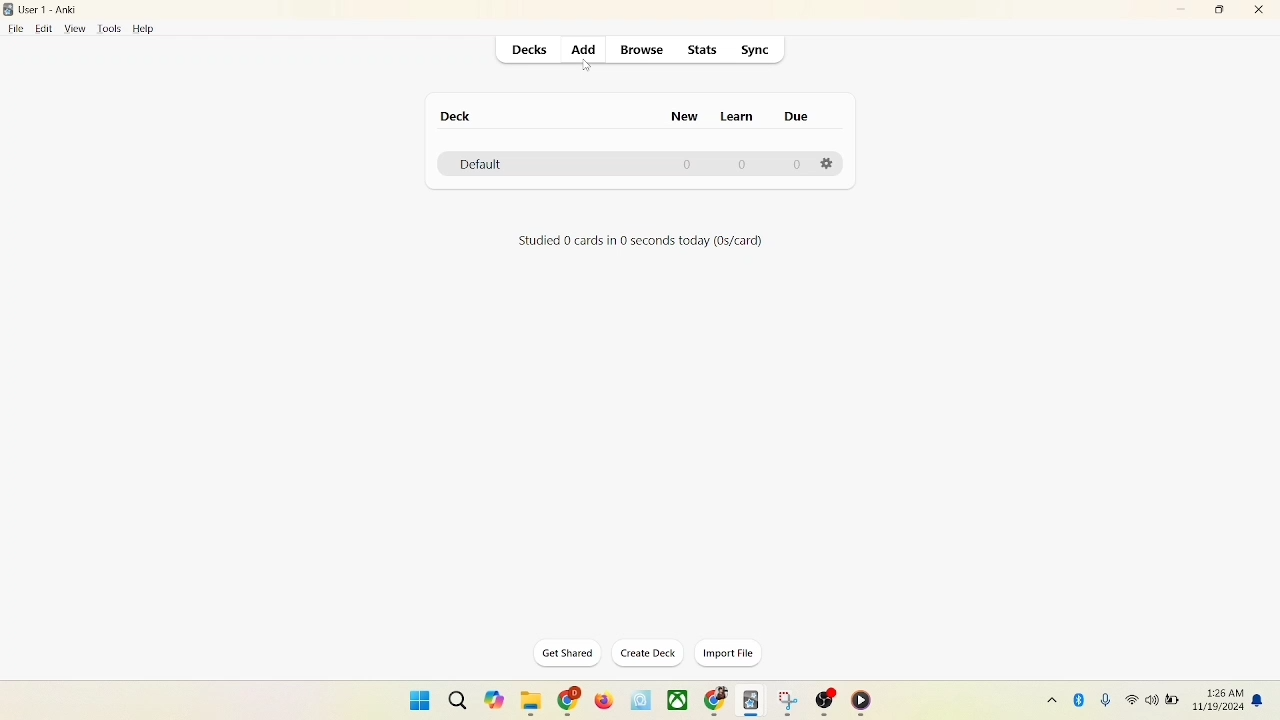 The height and width of the screenshot is (720, 1280). What do you see at coordinates (685, 119) in the screenshot?
I see `new` at bounding box center [685, 119].